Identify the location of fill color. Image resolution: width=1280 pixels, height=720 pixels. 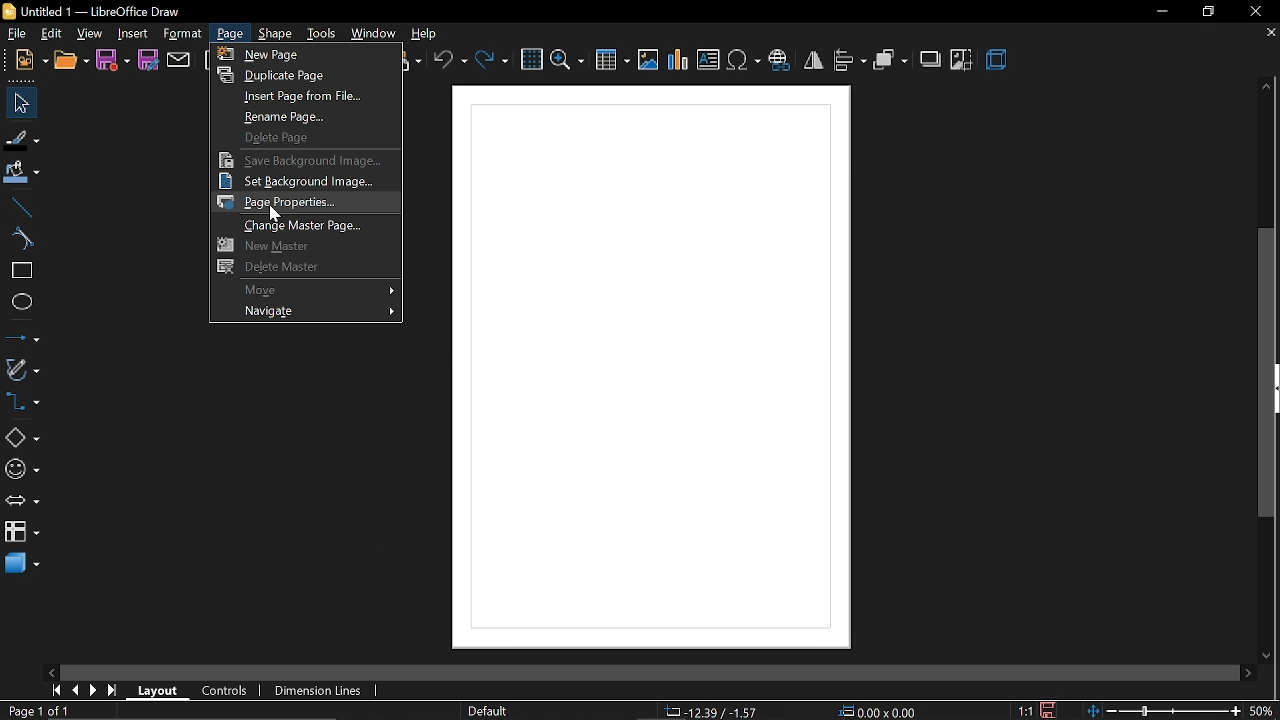
(22, 171).